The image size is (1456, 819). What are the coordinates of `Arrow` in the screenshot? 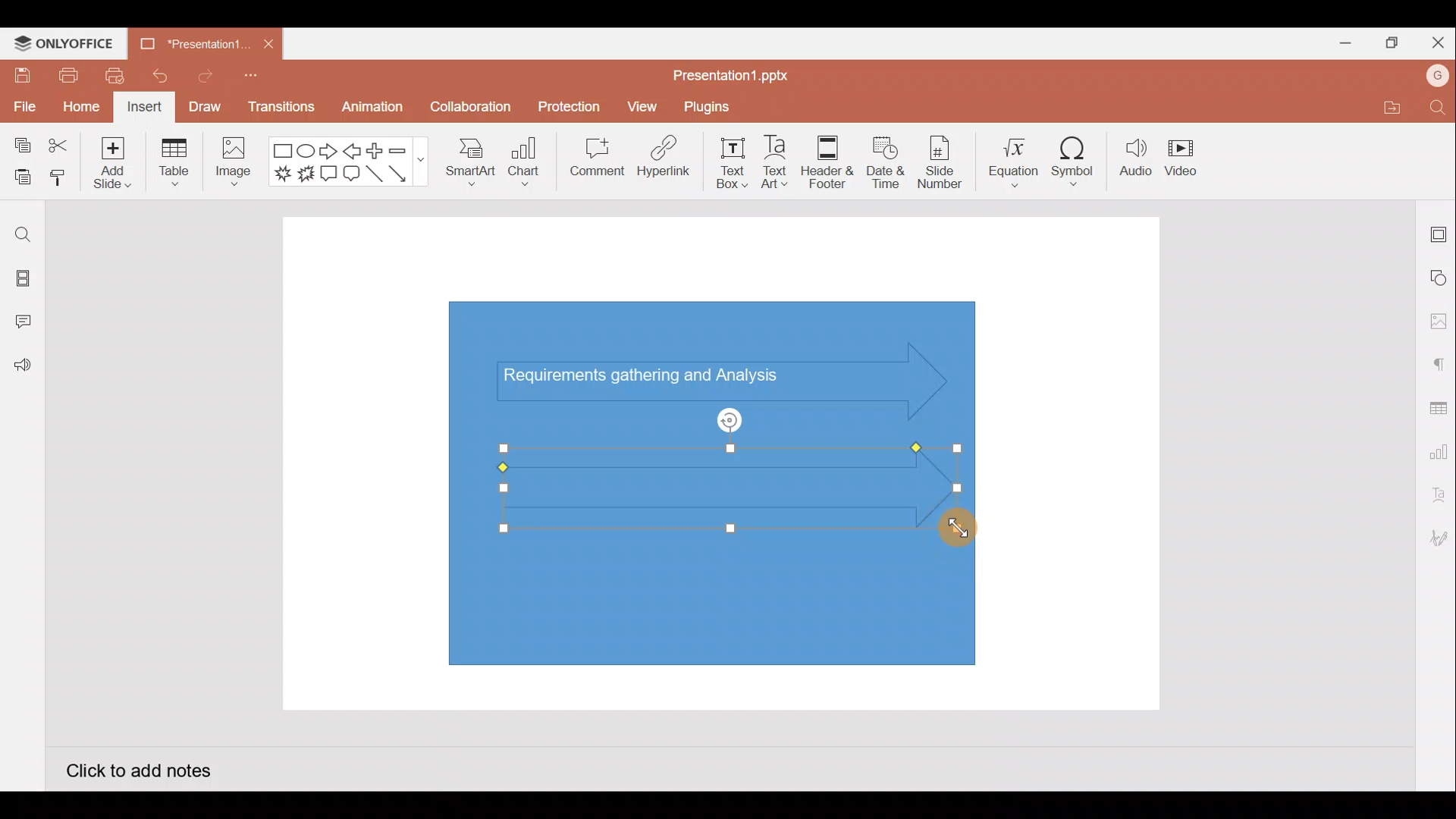 It's located at (406, 174).